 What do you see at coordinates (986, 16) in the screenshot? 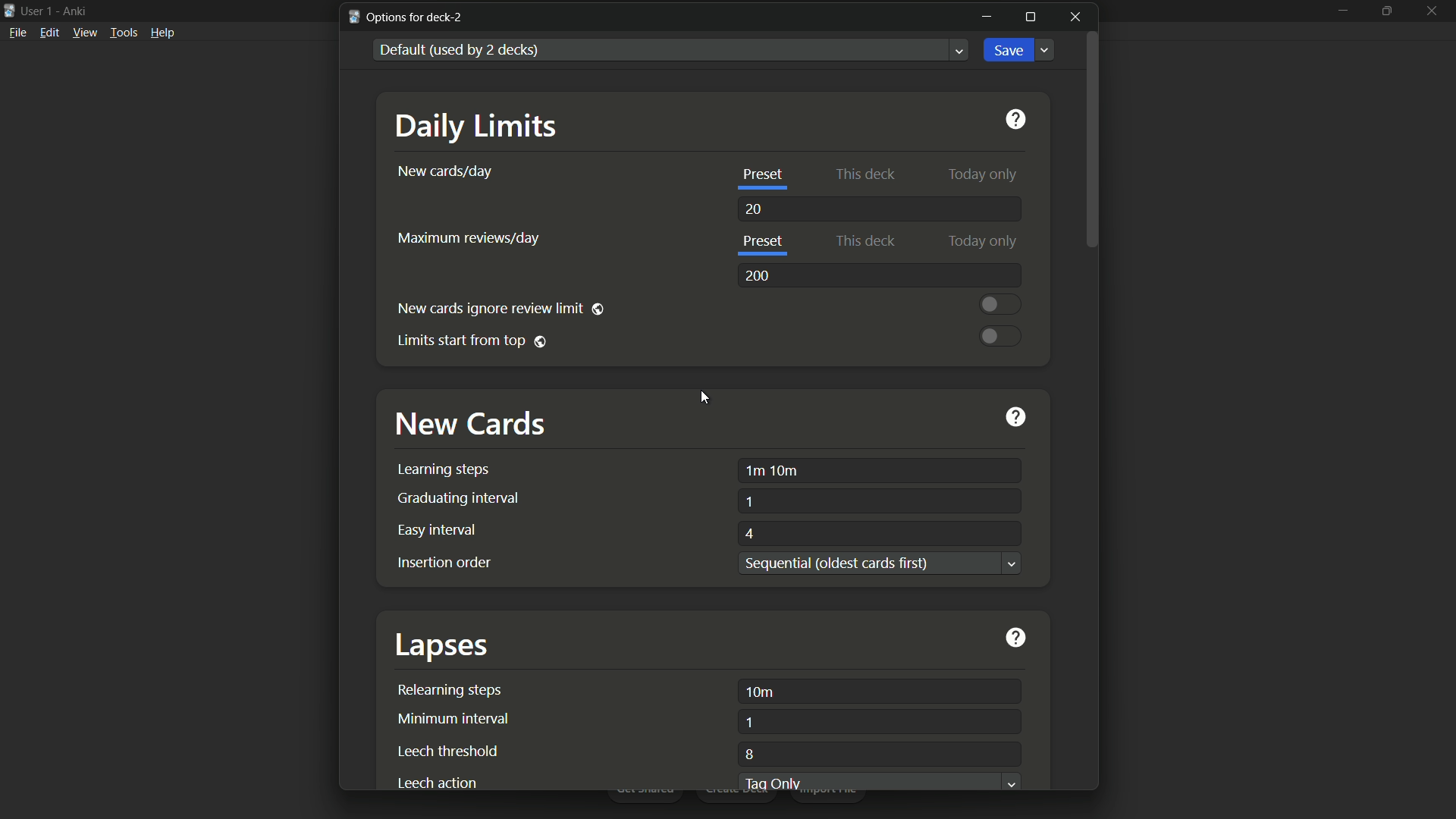
I see `minimize` at bounding box center [986, 16].